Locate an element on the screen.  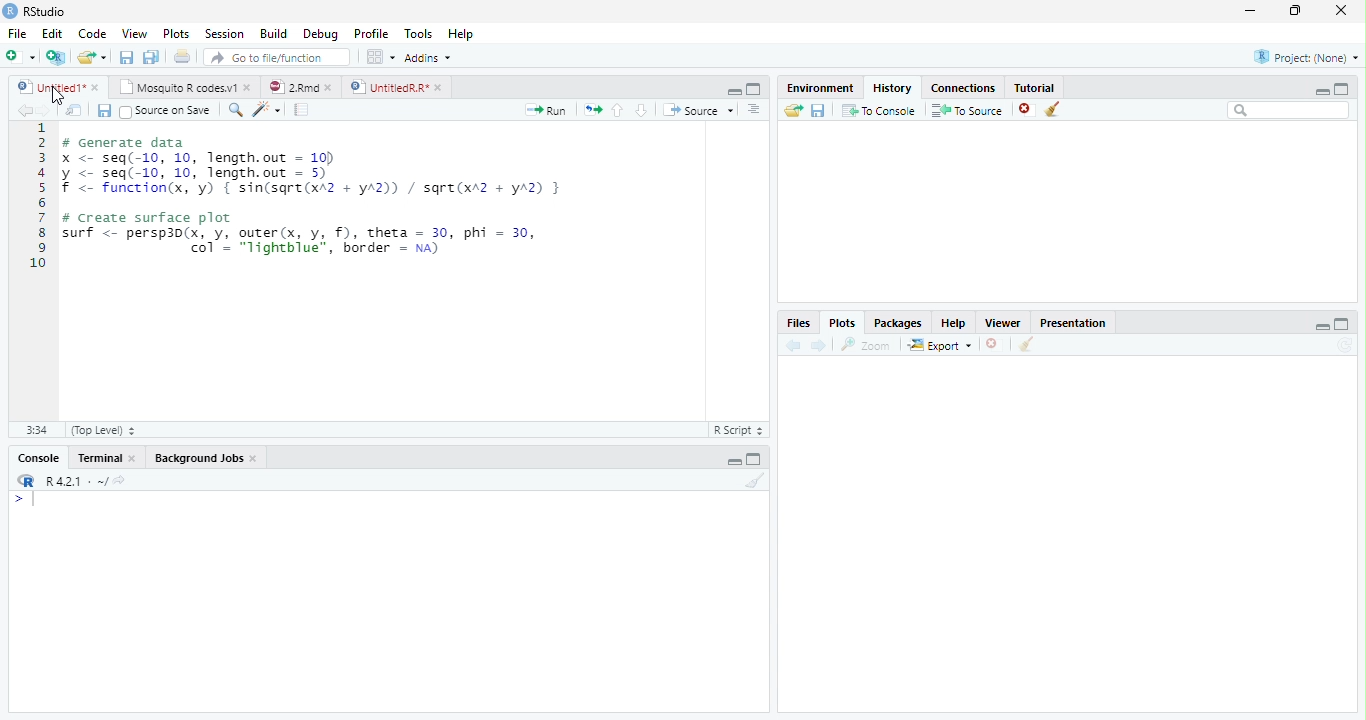
Source is located at coordinates (697, 109).